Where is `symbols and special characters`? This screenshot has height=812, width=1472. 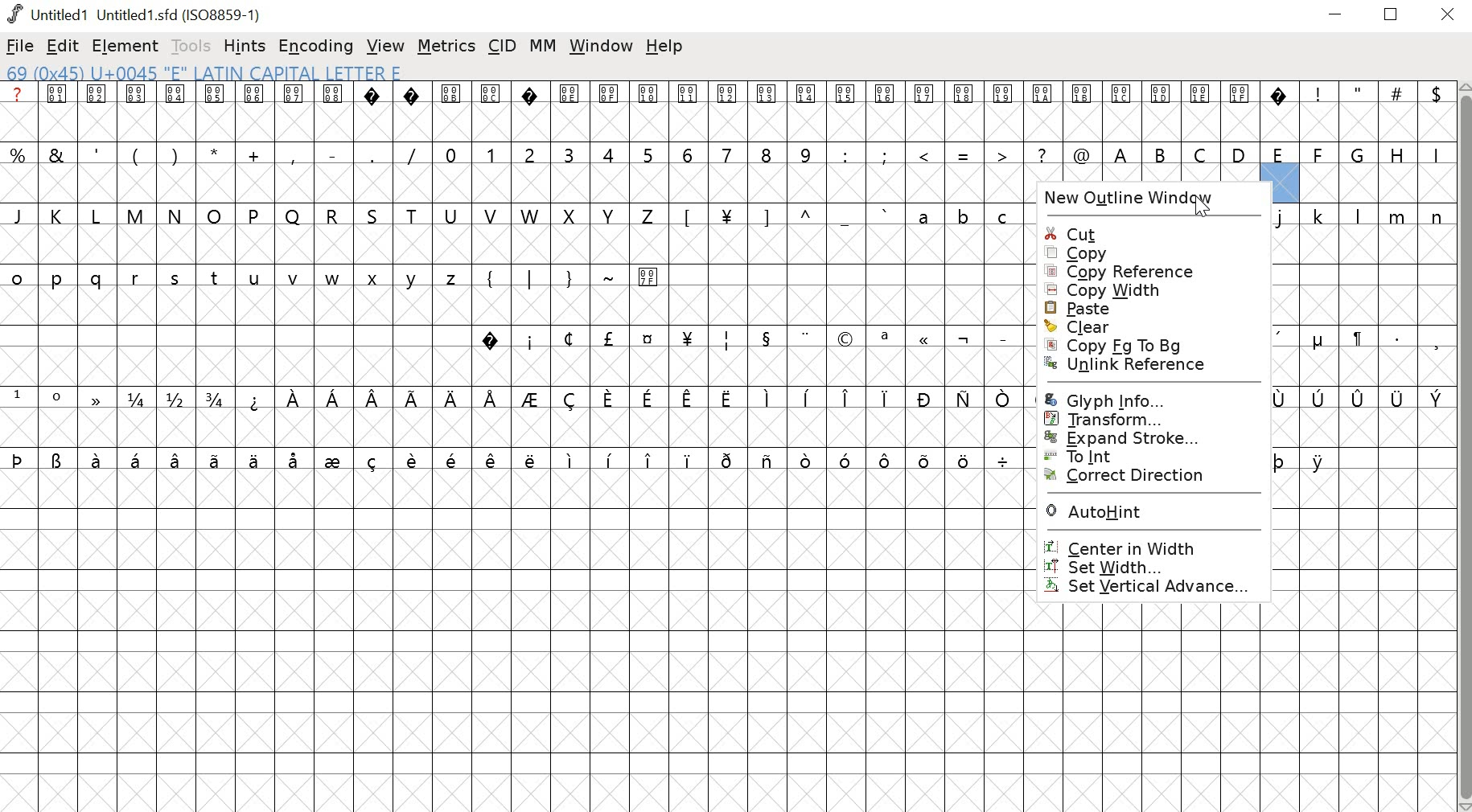 symbols and special characters is located at coordinates (569, 277).